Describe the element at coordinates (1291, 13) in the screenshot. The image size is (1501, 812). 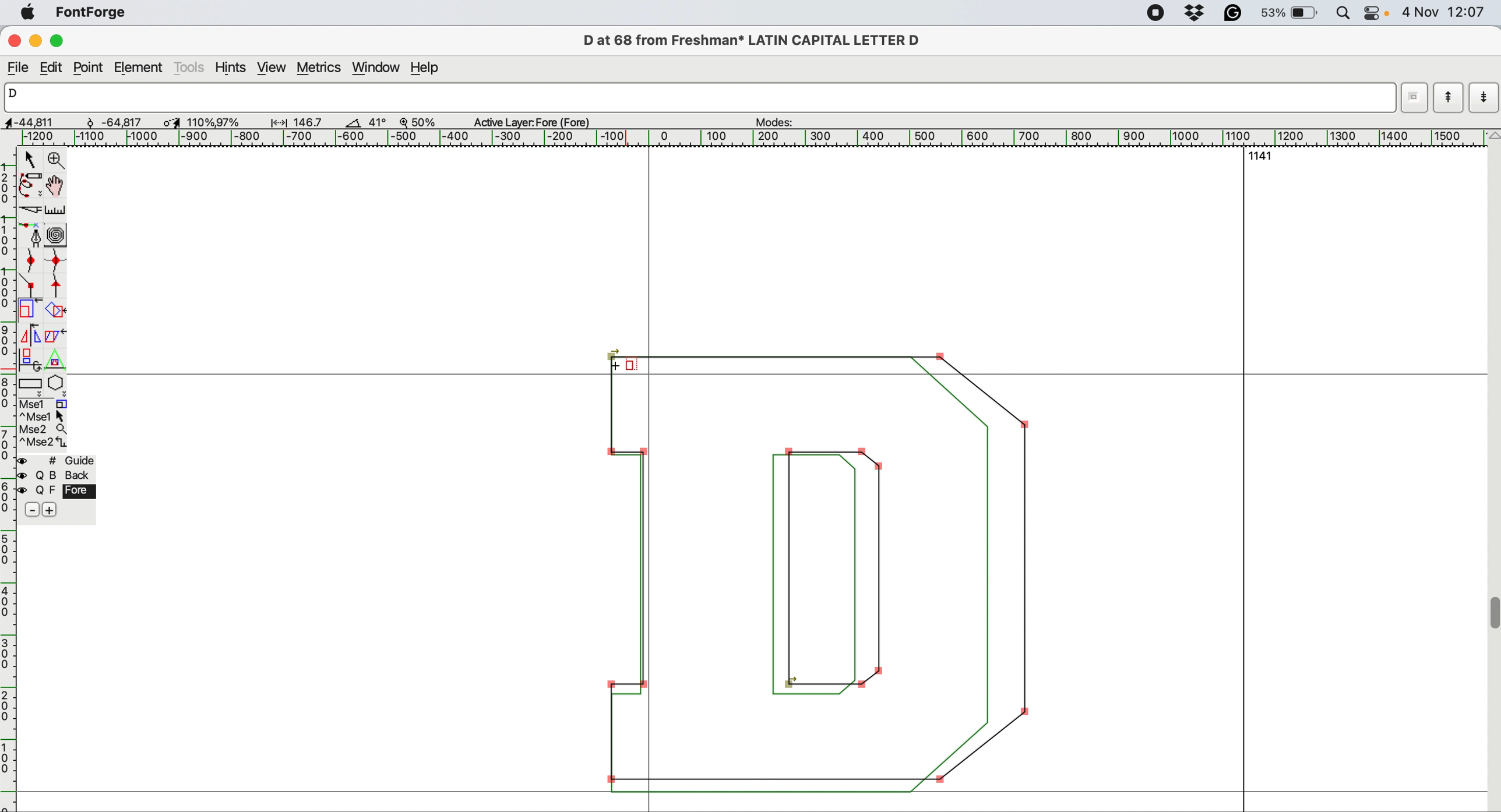
I see `battery` at that location.